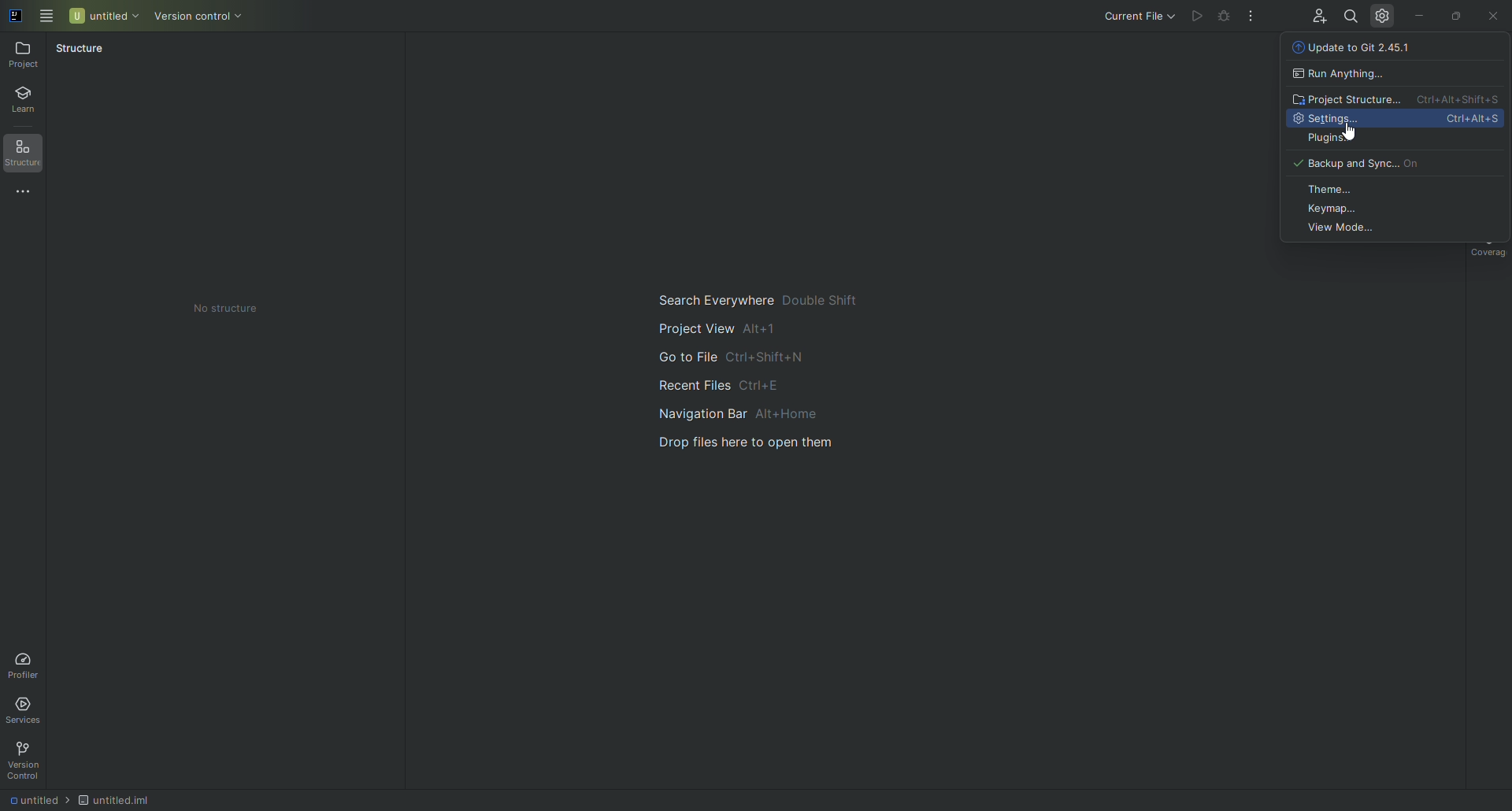  What do you see at coordinates (24, 157) in the screenshot?
I see `Structure` at bounding box center [24, 157].